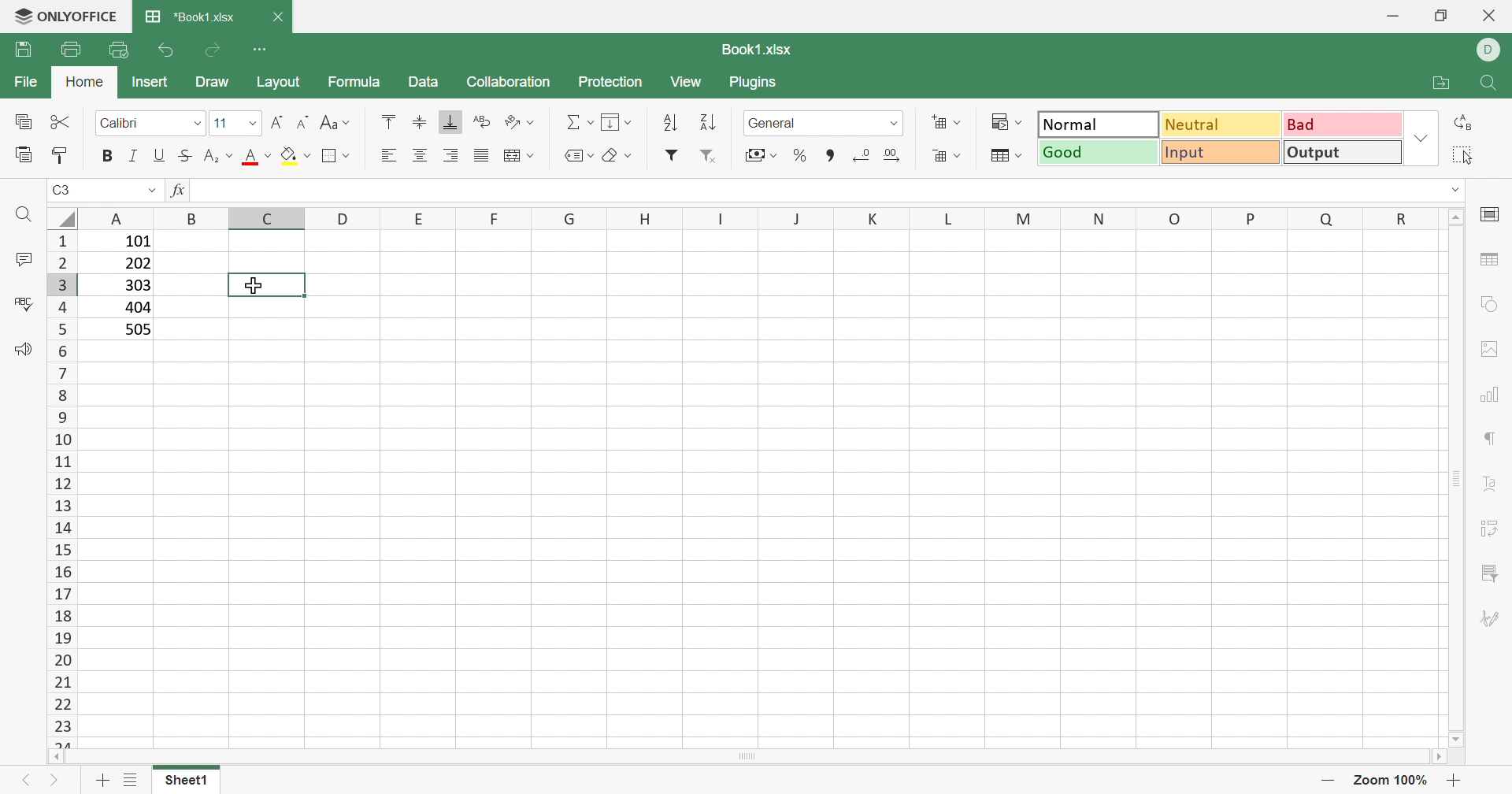 This screenshot has width=1512, height=794. I want to click on table settings, so click(1493, 262).